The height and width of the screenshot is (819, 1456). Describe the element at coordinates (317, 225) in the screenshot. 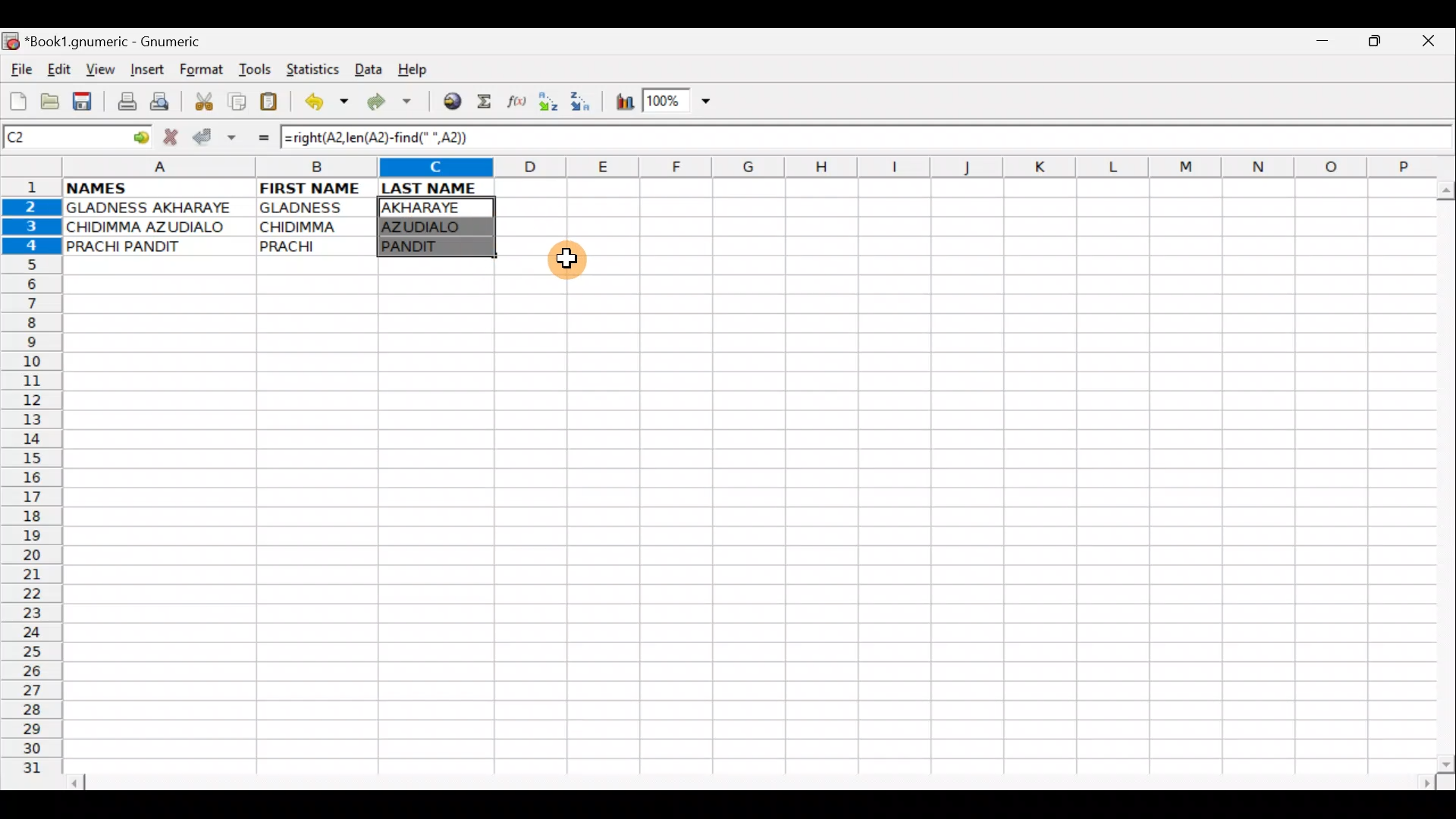

I see `CHIDIMMA` at that location.